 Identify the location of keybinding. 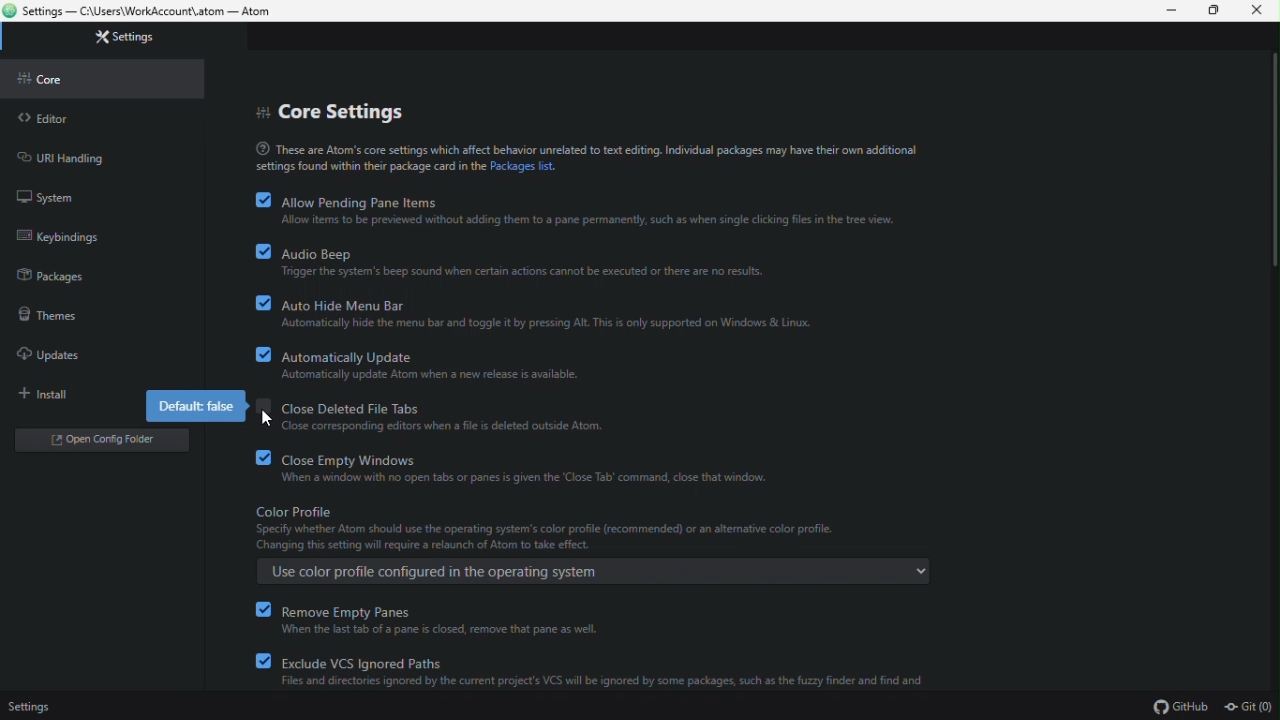
(53, 236).